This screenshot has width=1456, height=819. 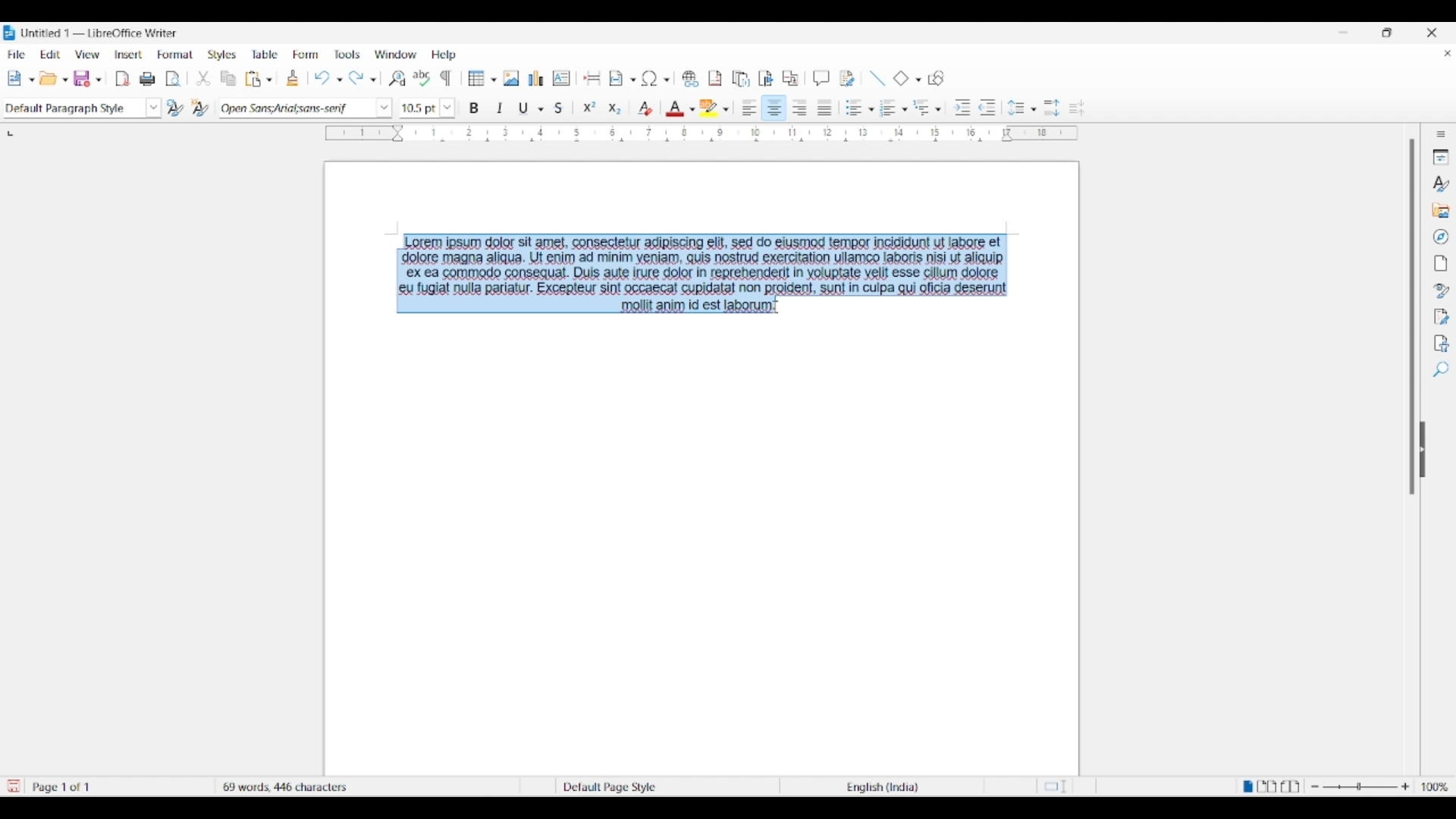 I want to click on Clone formatting, so click(x=292, y=77).